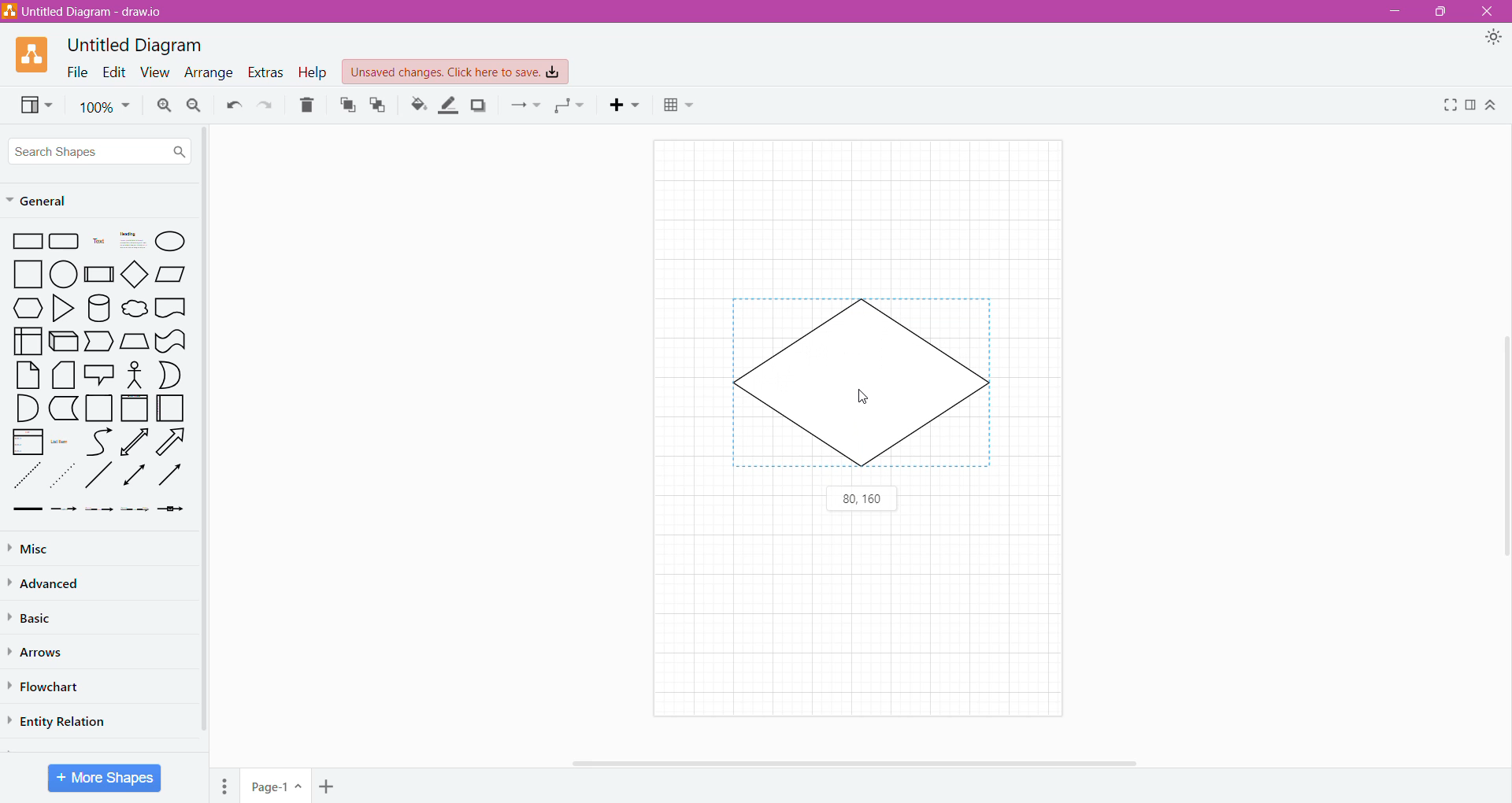  Describe the element at coordinates (1492, 106) in the screenshot. I see `Expand/Collapse` at that location.